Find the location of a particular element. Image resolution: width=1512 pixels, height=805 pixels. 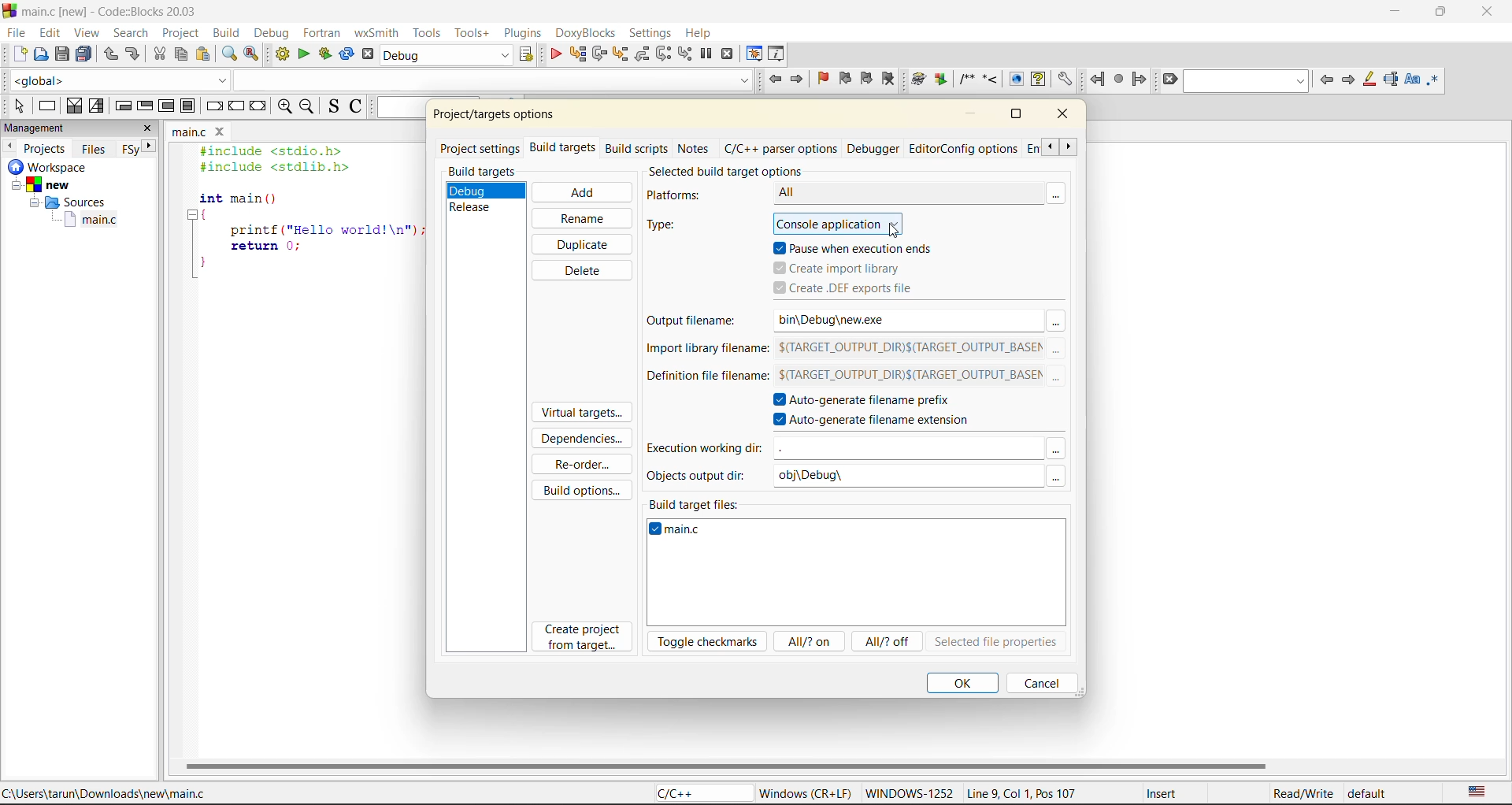

show select target dialog is located at coordinates (525, 53).